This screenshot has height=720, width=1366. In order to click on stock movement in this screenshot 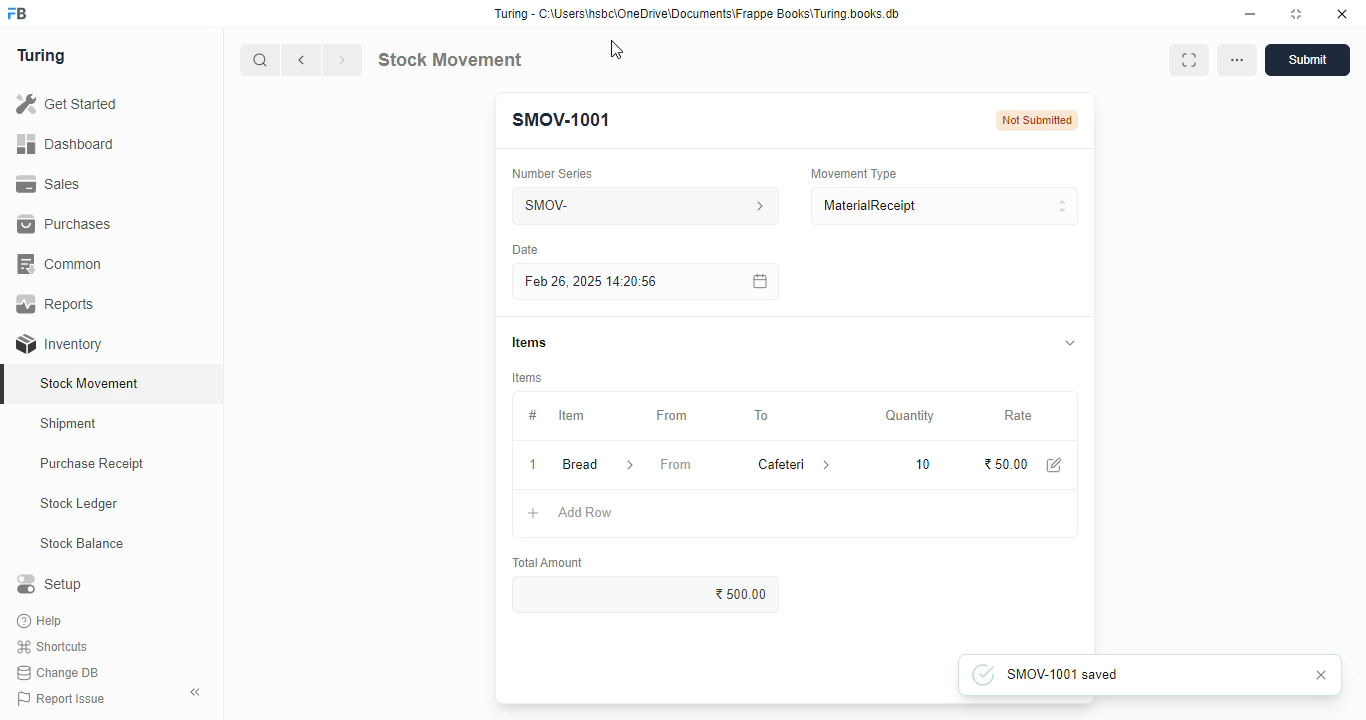, I will do `click(449, 59)`.